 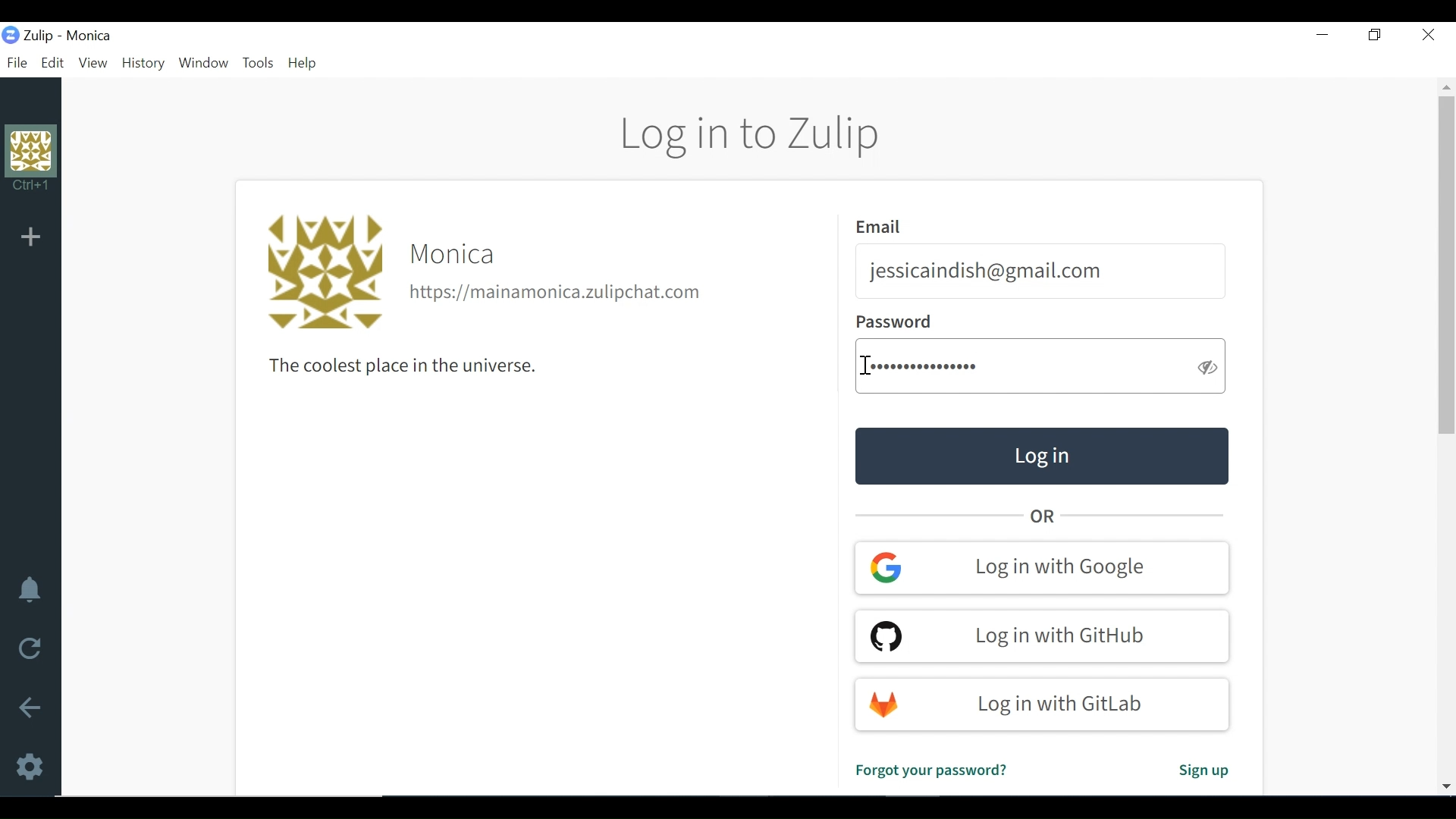 I want to click on Password , so click(x=925, y=367).